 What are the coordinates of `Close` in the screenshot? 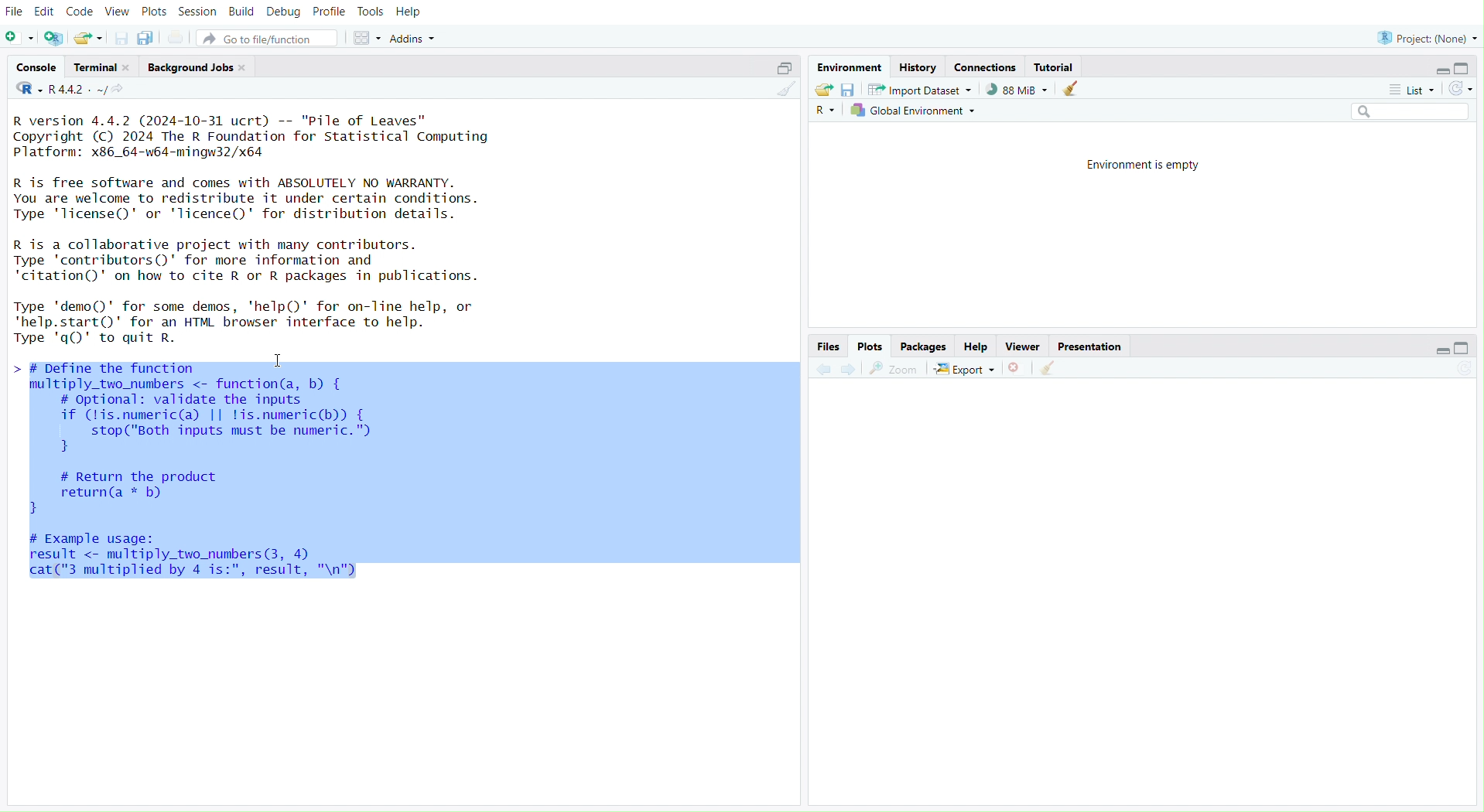 It's located at (1018, 367).